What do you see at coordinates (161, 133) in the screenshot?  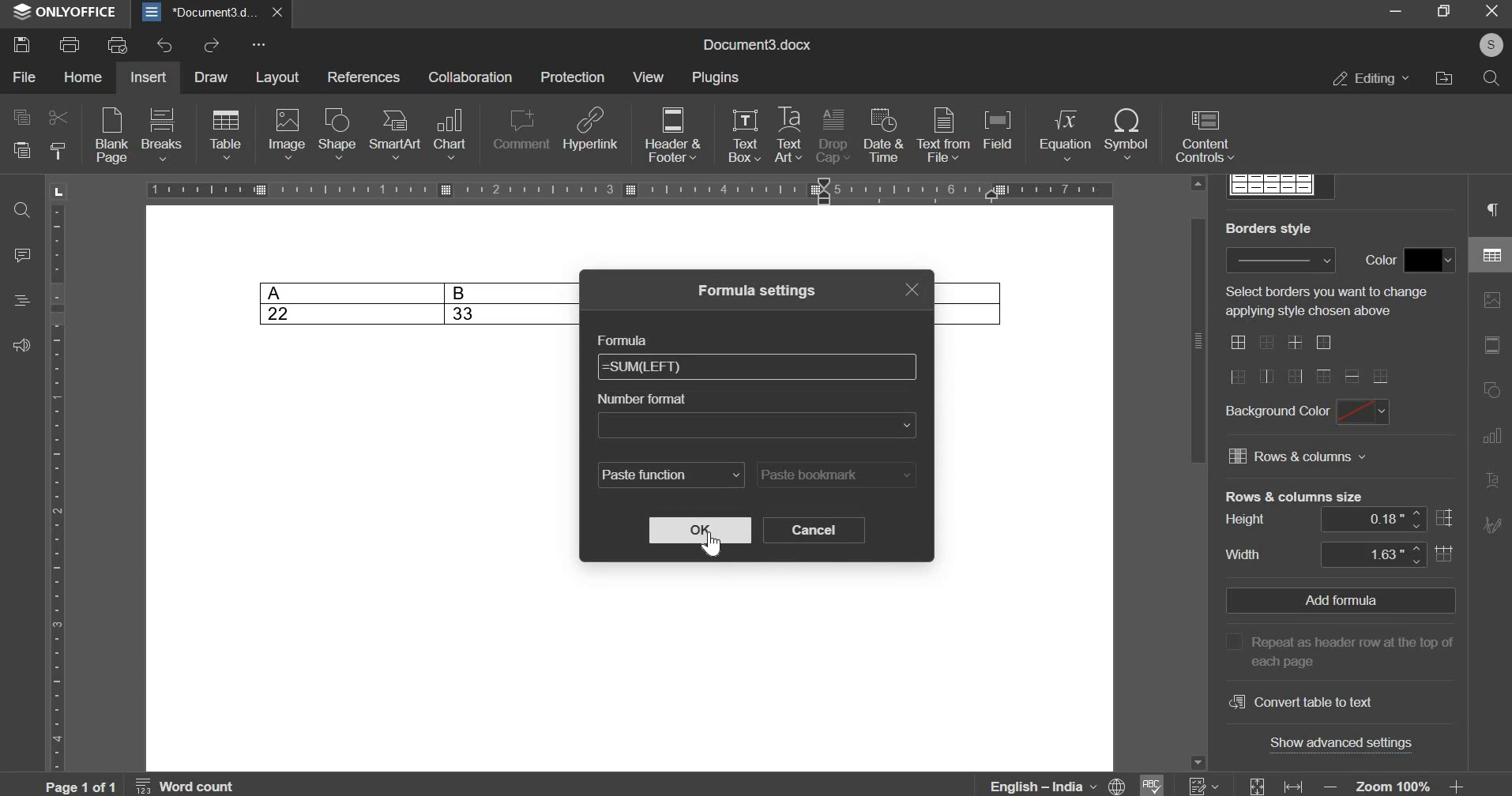 I see `breaks` at bounding box center [161, 133].